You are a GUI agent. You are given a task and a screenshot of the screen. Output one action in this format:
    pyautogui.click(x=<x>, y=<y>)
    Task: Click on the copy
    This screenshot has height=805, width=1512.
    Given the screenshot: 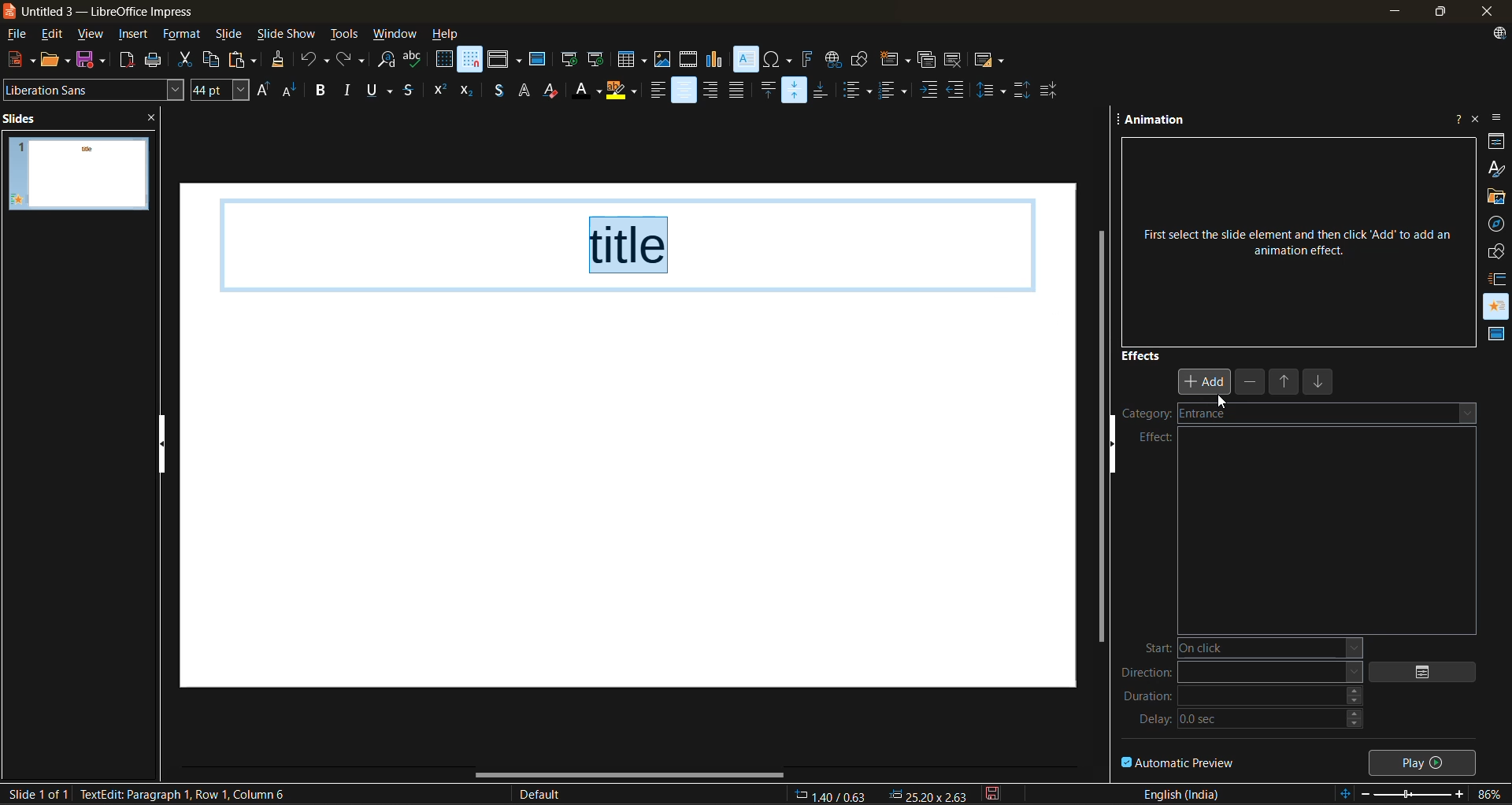 What is the action you would take?
    pyautogui.click(x=216, y=60)
    